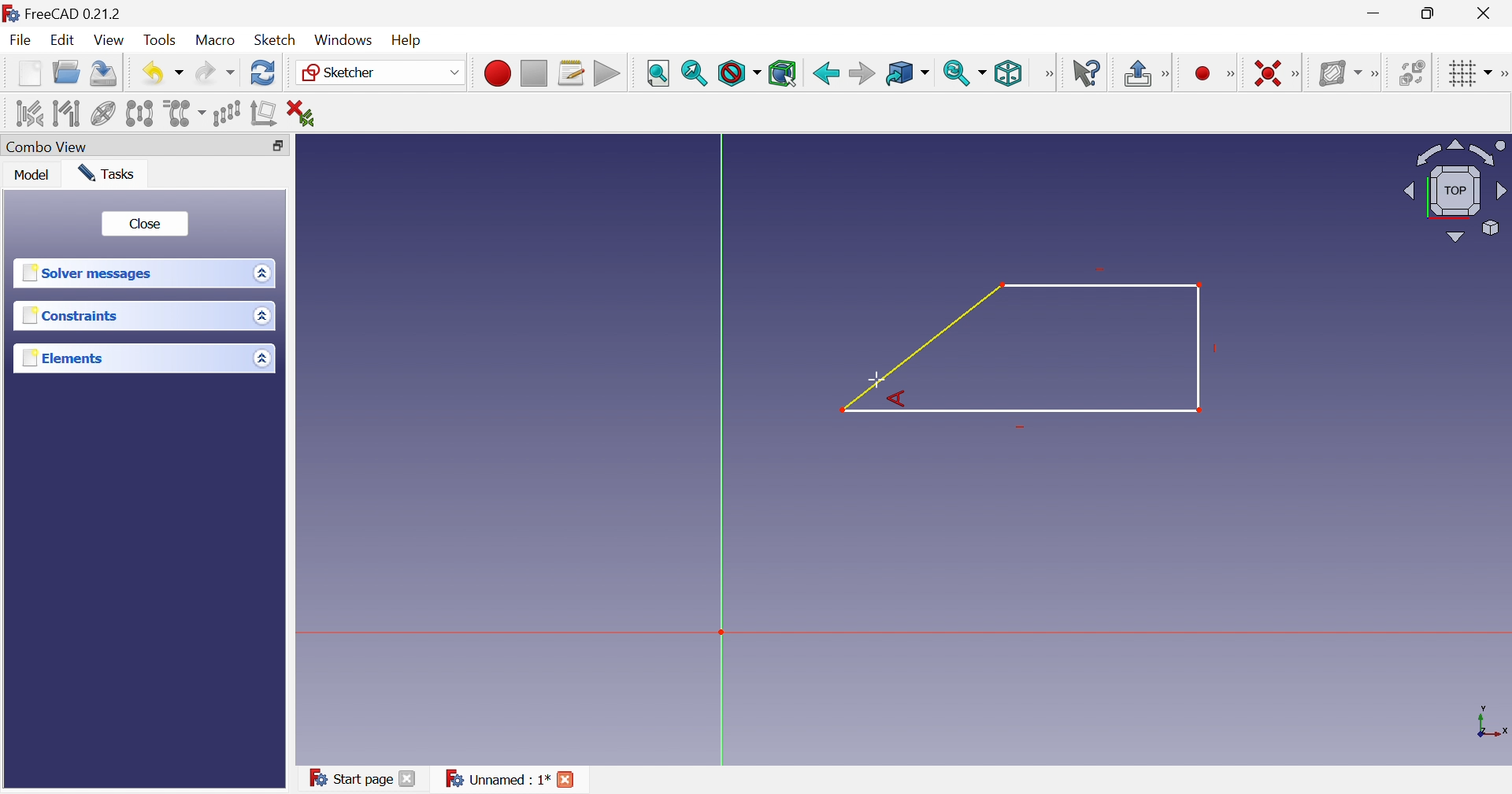 Image resolution: width=1512 pixels, height=794 pixels. I want to click on X, Y plane, so click(1492, 722).